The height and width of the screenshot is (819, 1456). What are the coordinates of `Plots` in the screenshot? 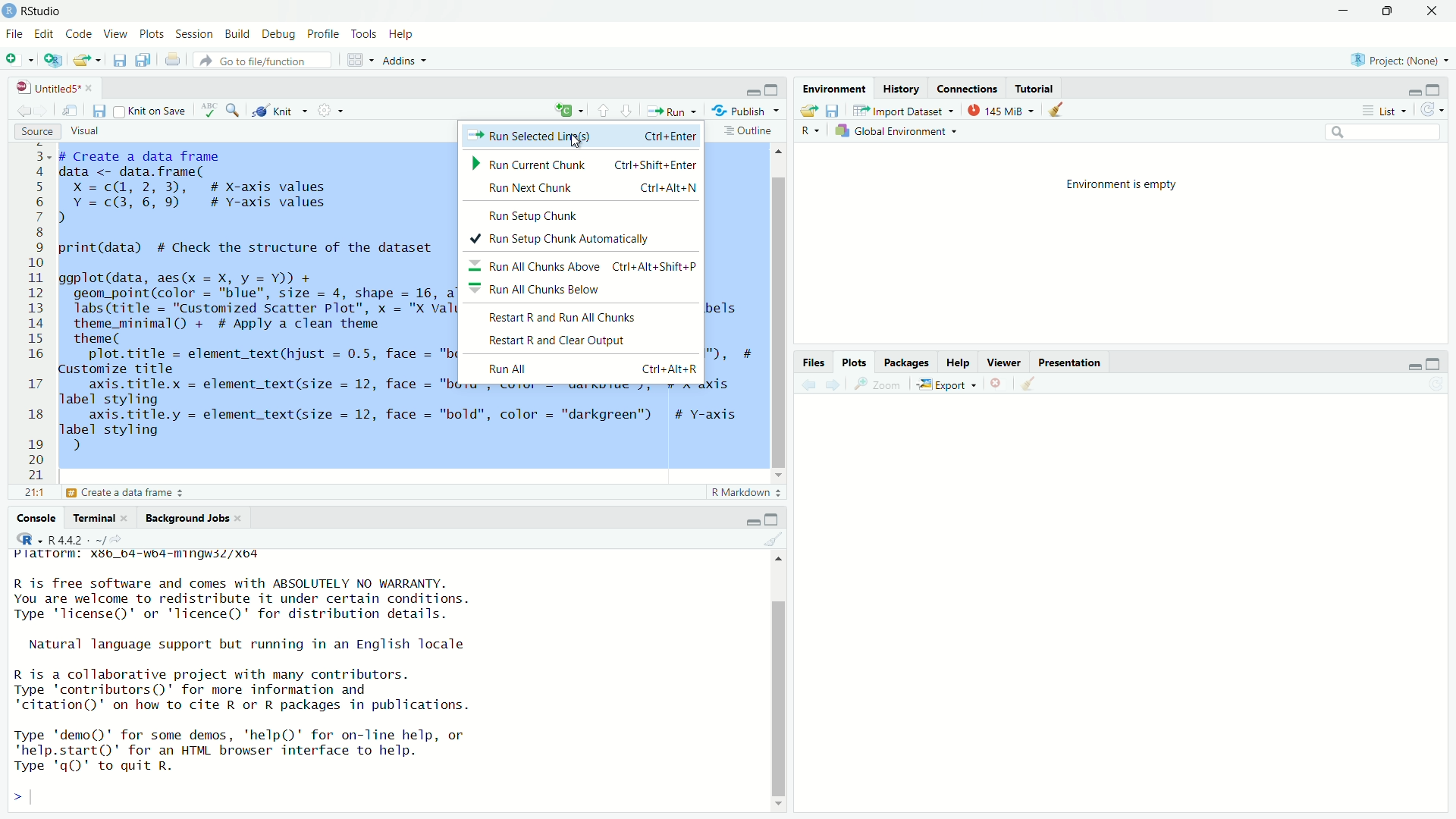 It's located at (855, 364).